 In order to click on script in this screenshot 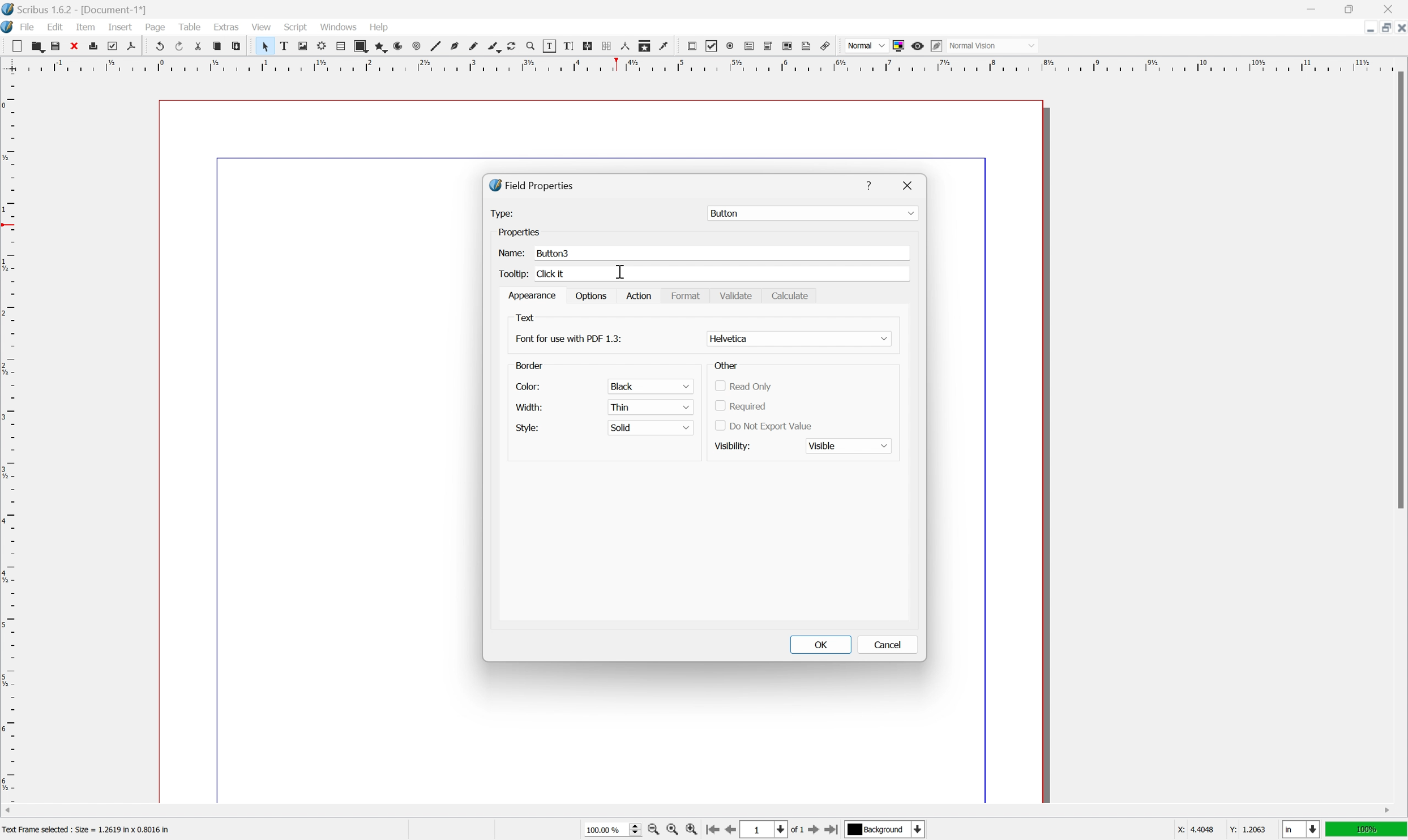, I will do `click(297, 26)`.